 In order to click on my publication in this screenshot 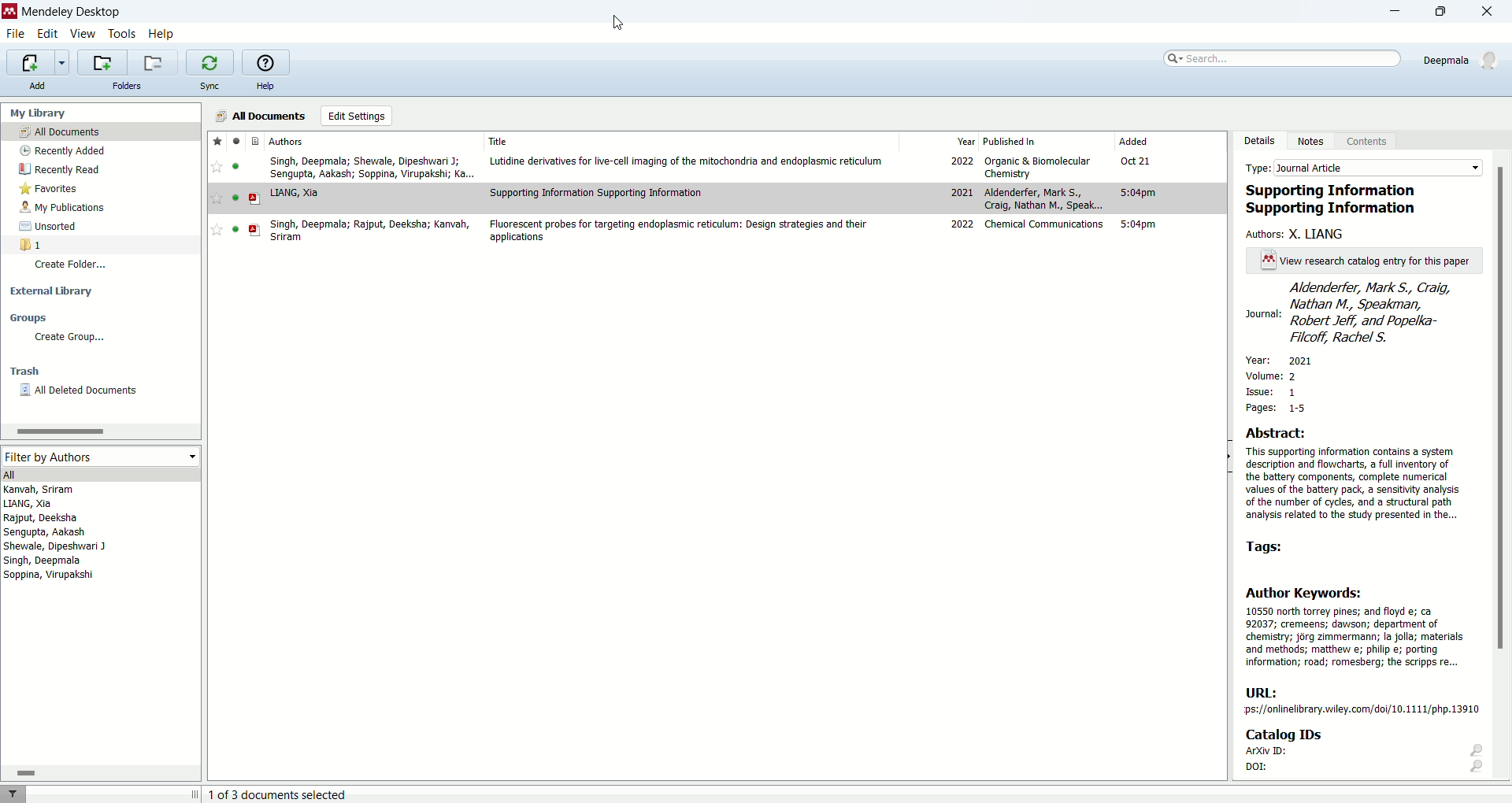, I will do `click(64, 207)`.